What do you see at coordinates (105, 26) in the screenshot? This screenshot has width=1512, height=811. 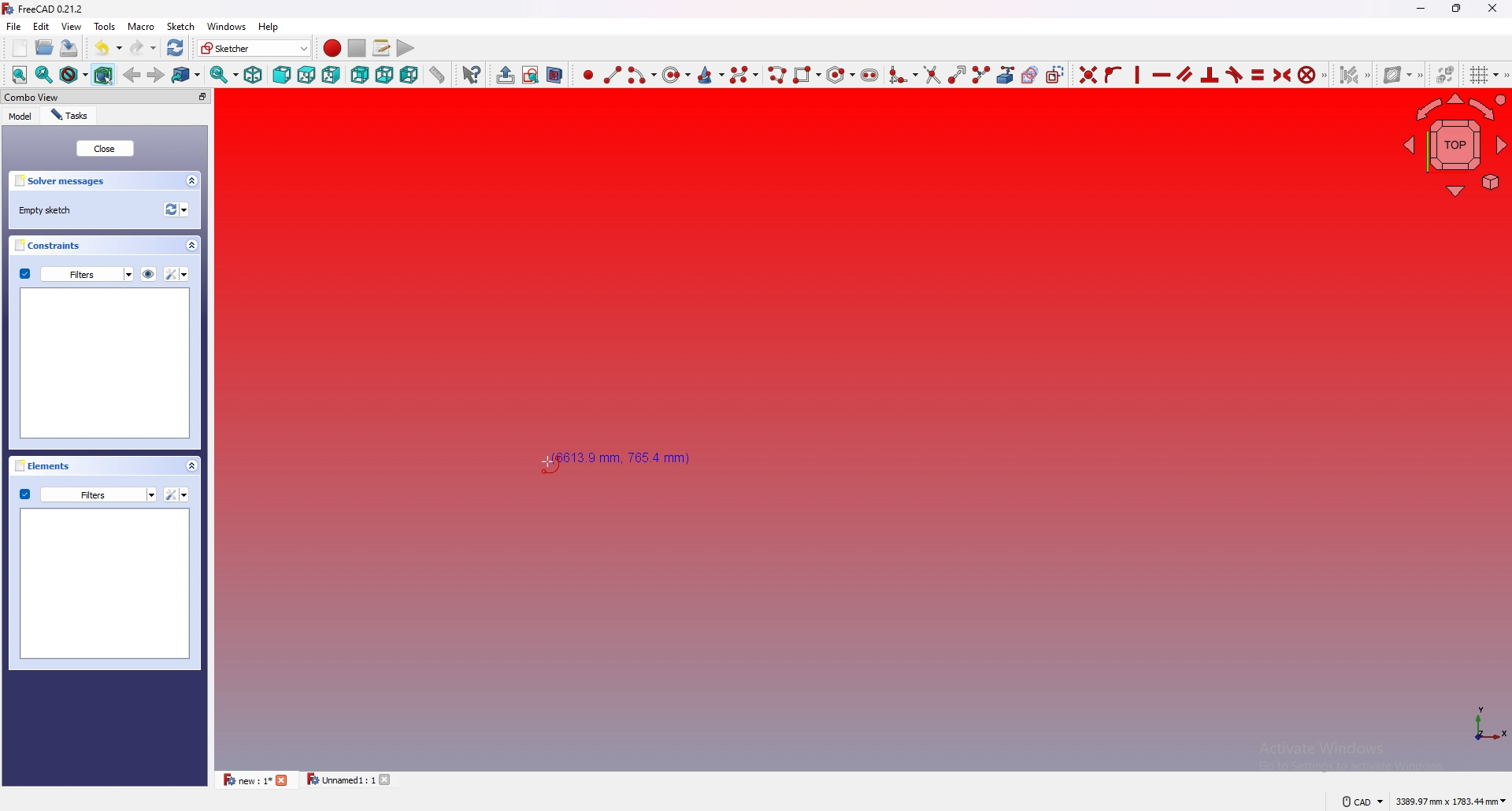 I see `tools` at bounding box center [105, 26].